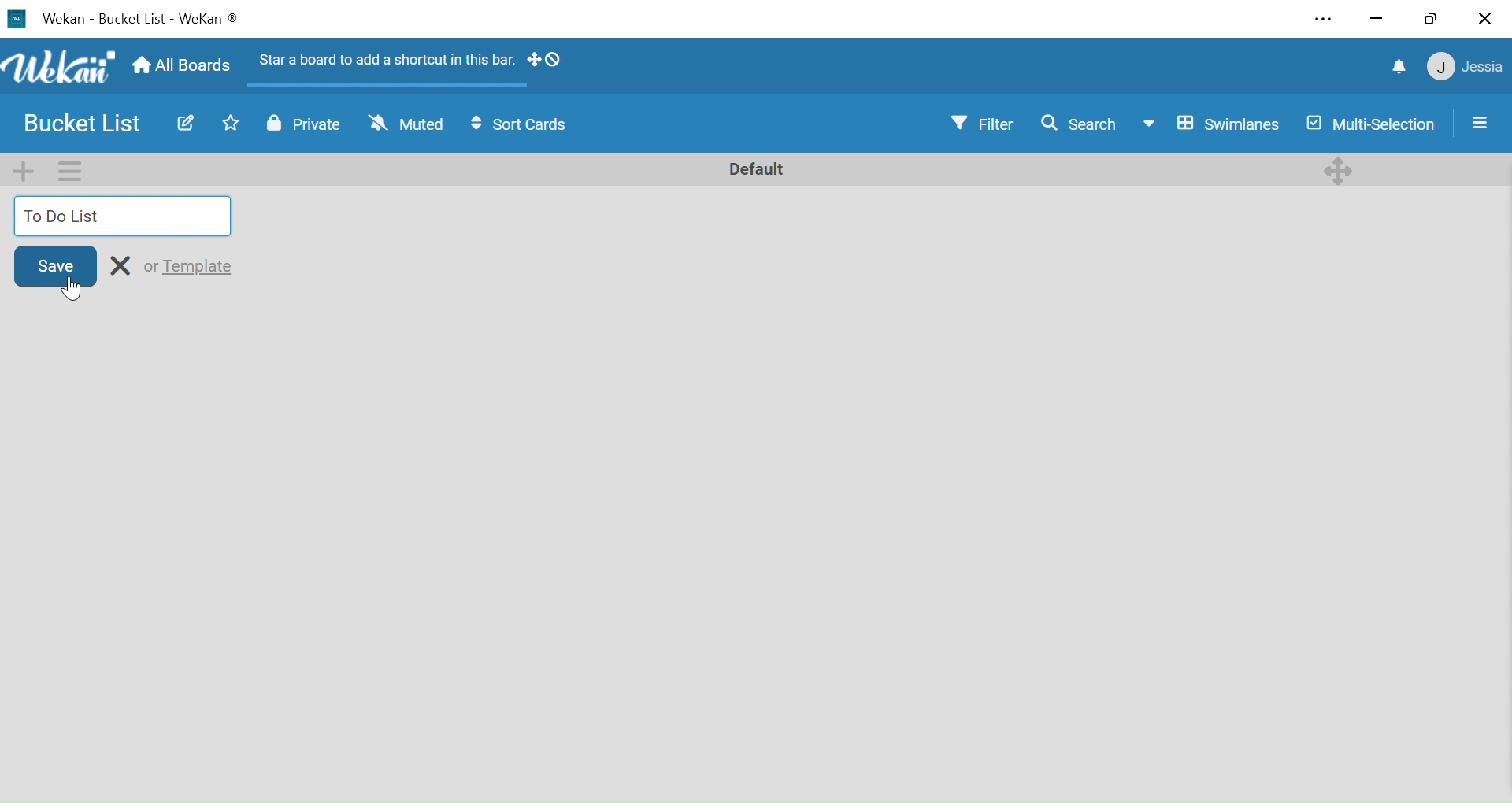 Image resolution: width=1512 pixels, height=803 pixels. I want to click on Swimlane handle, so click(1340, 168).